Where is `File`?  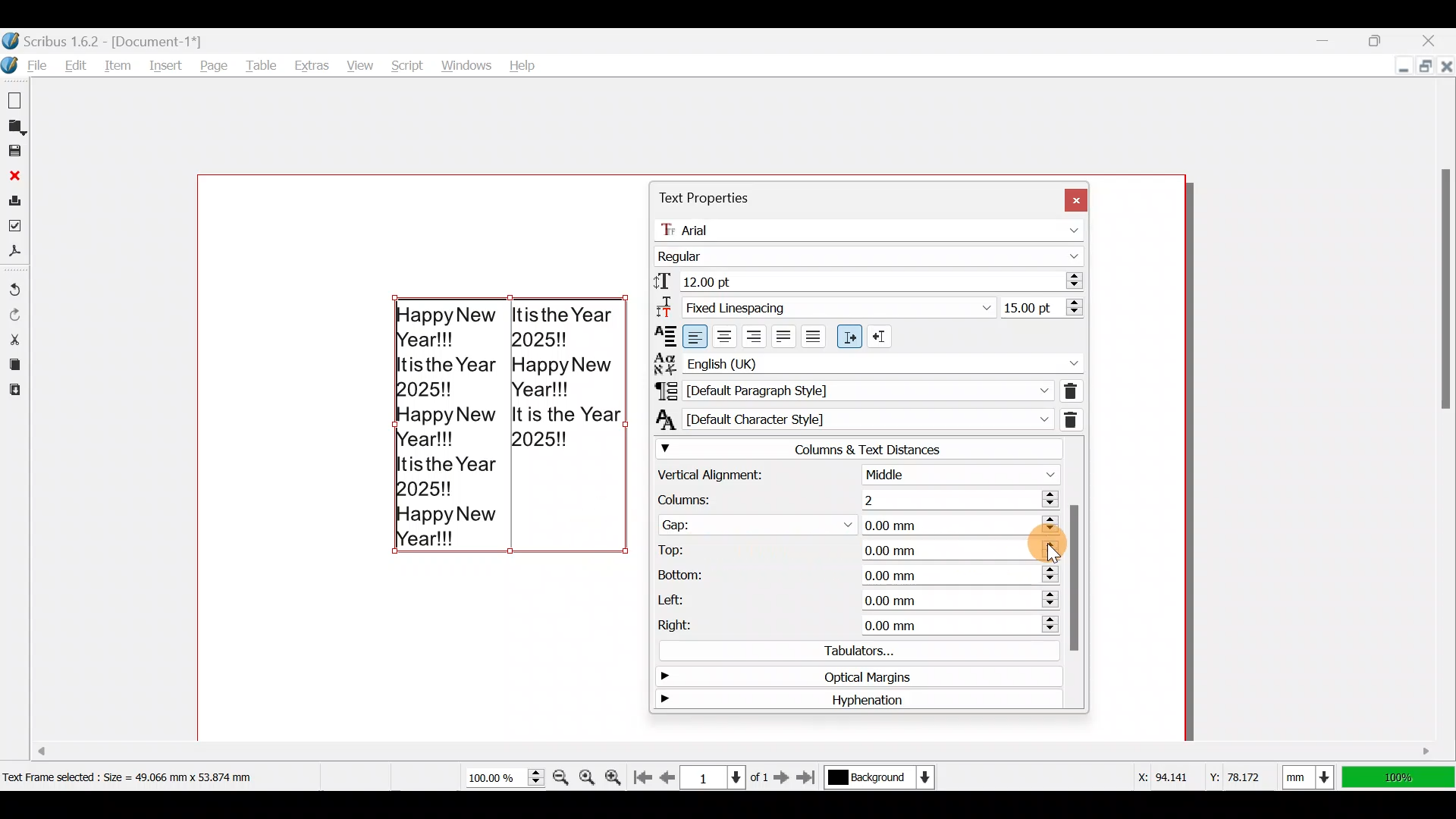 File is located at coordinates (27, 65).